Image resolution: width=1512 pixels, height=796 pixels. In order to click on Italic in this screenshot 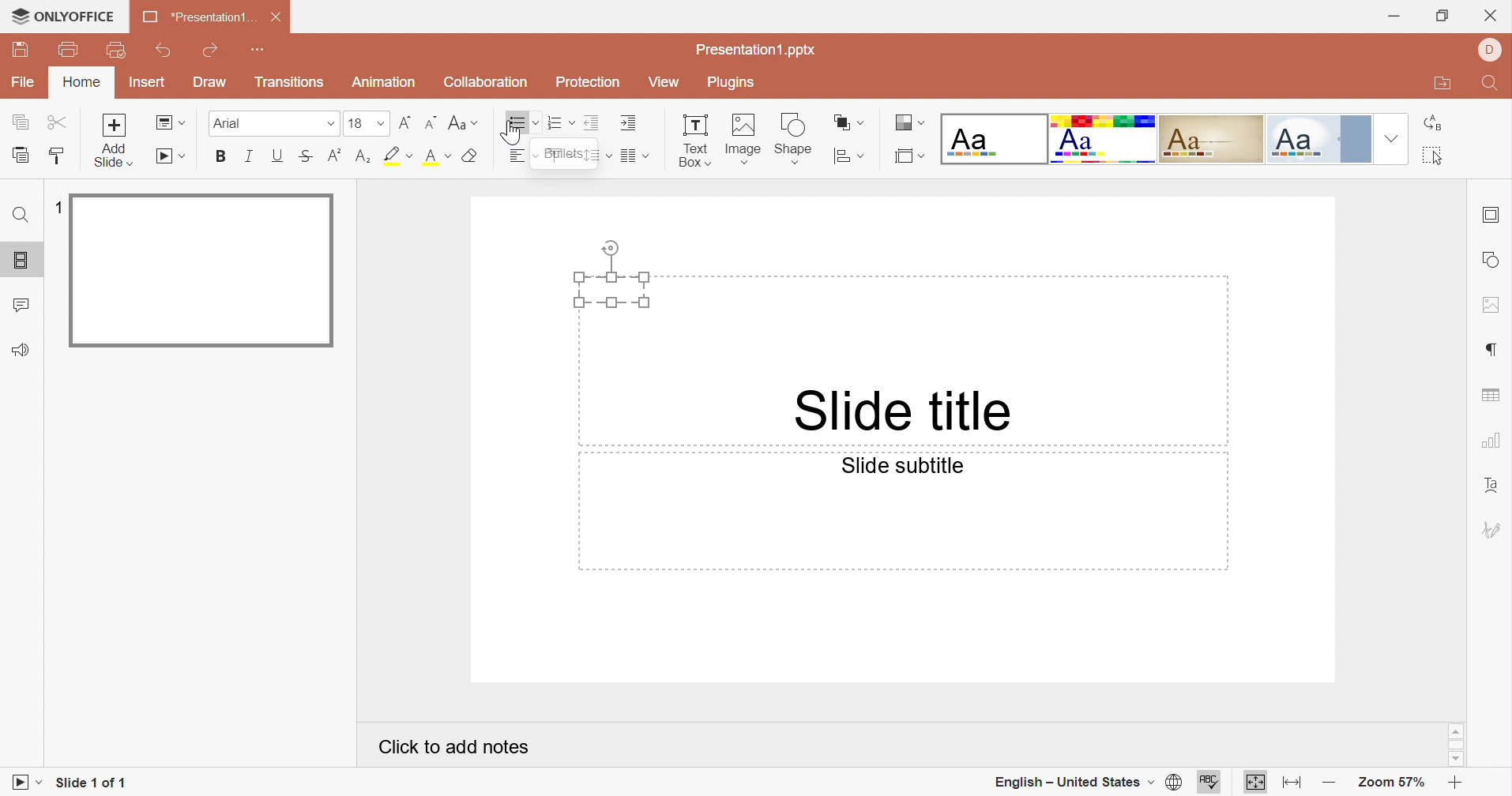, I will do `click(248, 156)`.